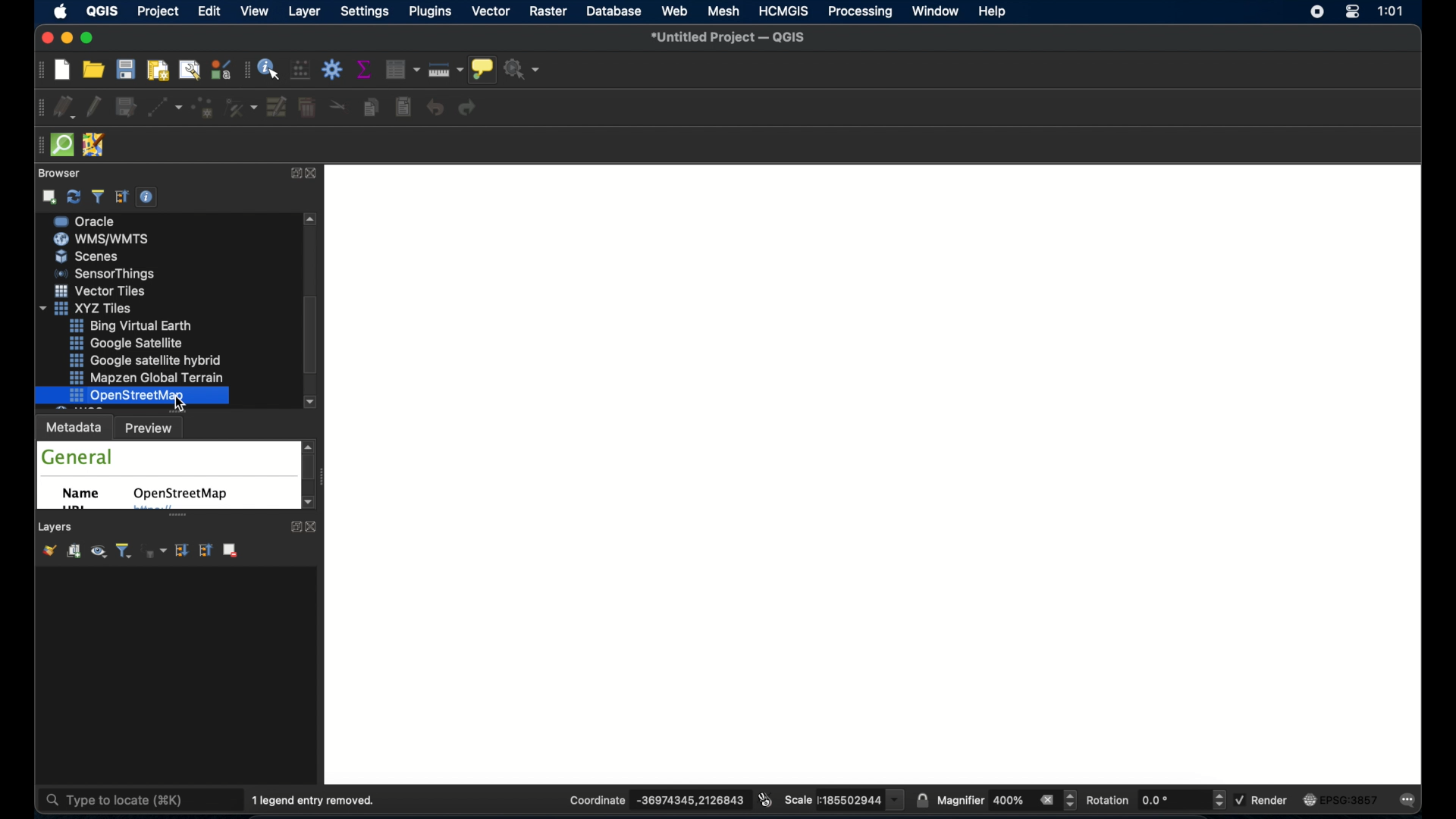 This screenshot has width=1456, height=819. Describe the element at coordinates (111, 256) in the screenshot. I see `ms sql server` at that location.